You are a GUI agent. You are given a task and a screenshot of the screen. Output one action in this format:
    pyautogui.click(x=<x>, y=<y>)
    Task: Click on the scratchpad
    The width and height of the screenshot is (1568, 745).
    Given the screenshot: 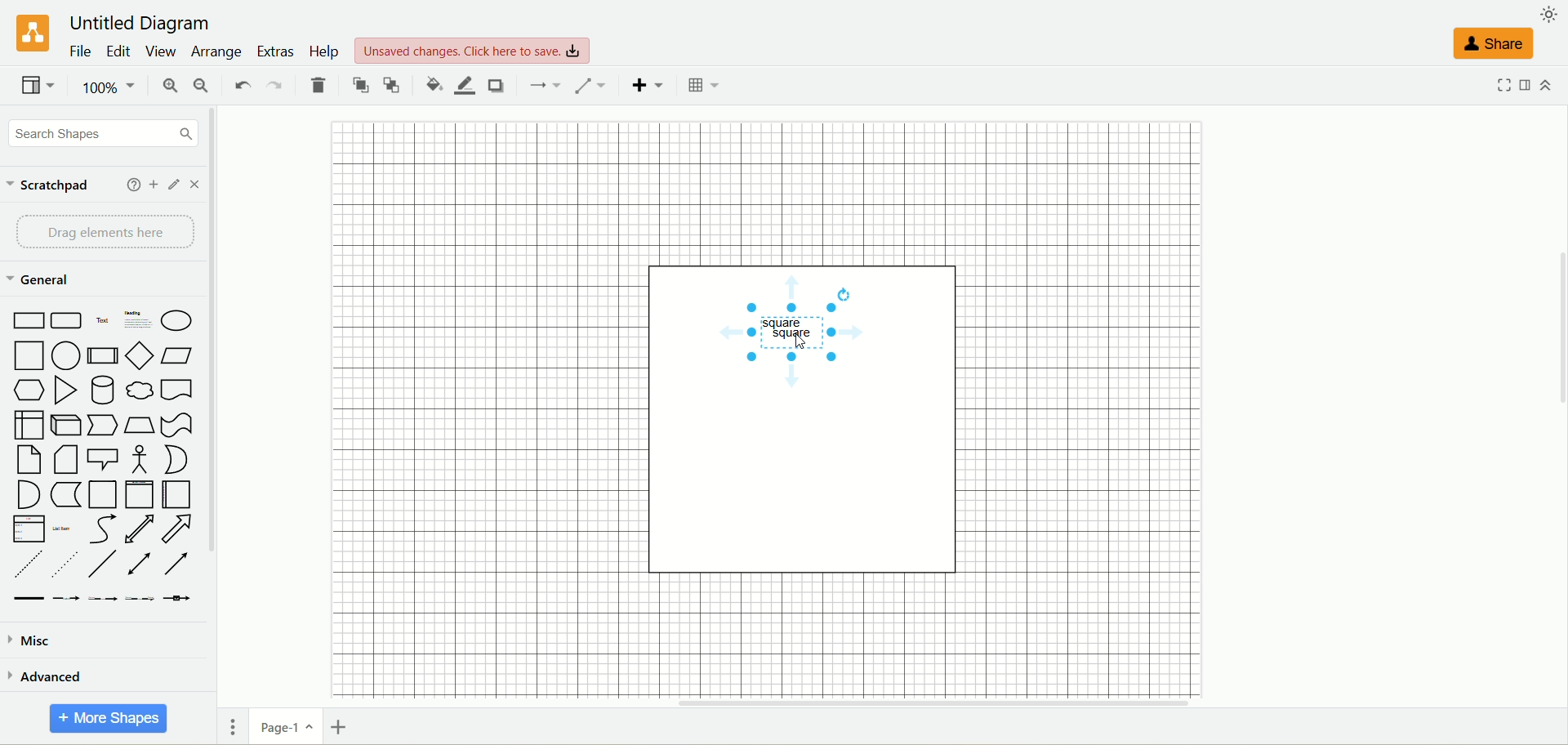 What is the action you would take?
    pyautogui.click(x=56, y=189)
    